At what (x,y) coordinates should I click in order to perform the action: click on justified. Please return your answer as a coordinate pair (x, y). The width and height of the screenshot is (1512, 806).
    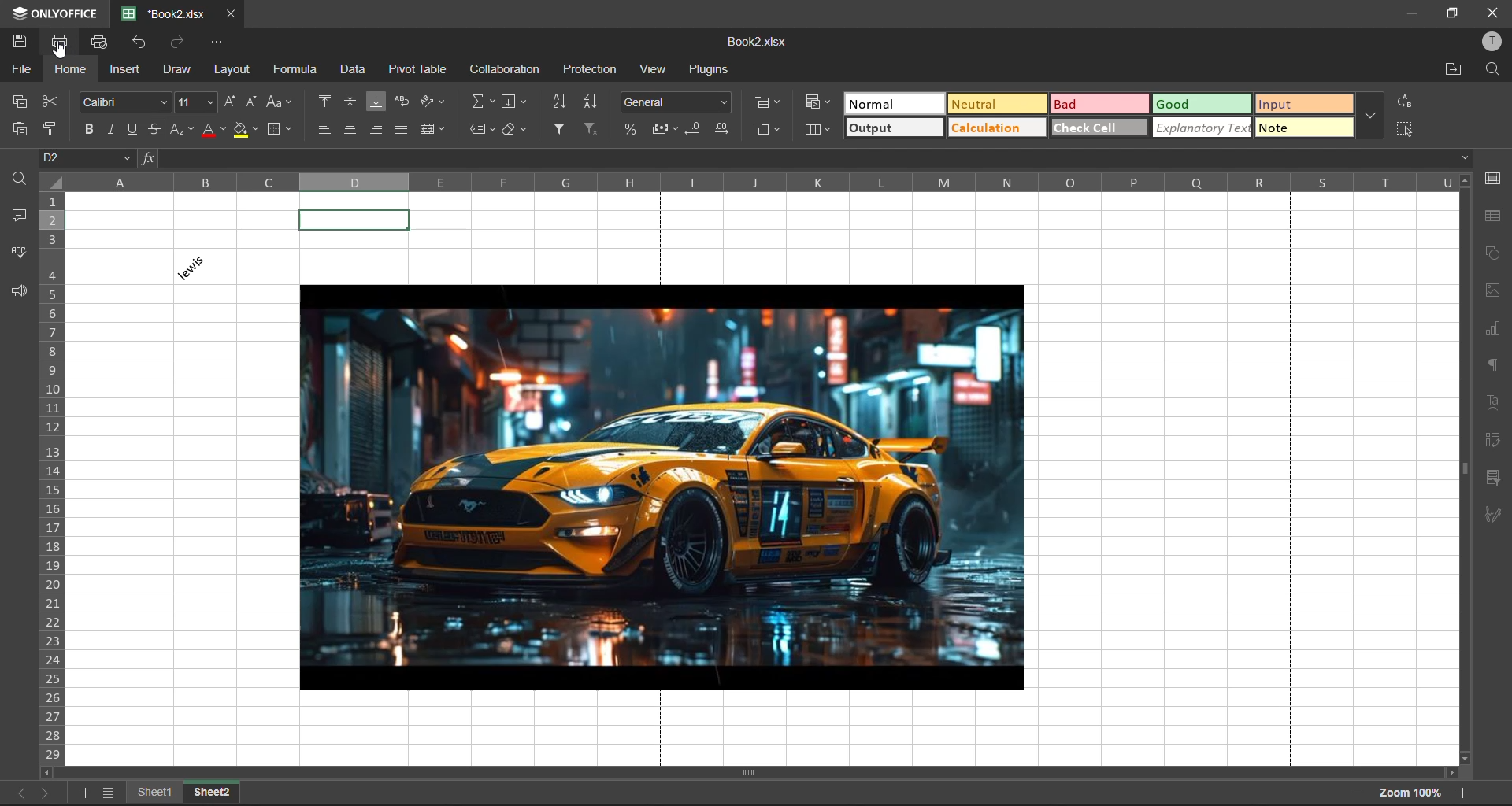
    Looking at the image, I should click on (404, 127).